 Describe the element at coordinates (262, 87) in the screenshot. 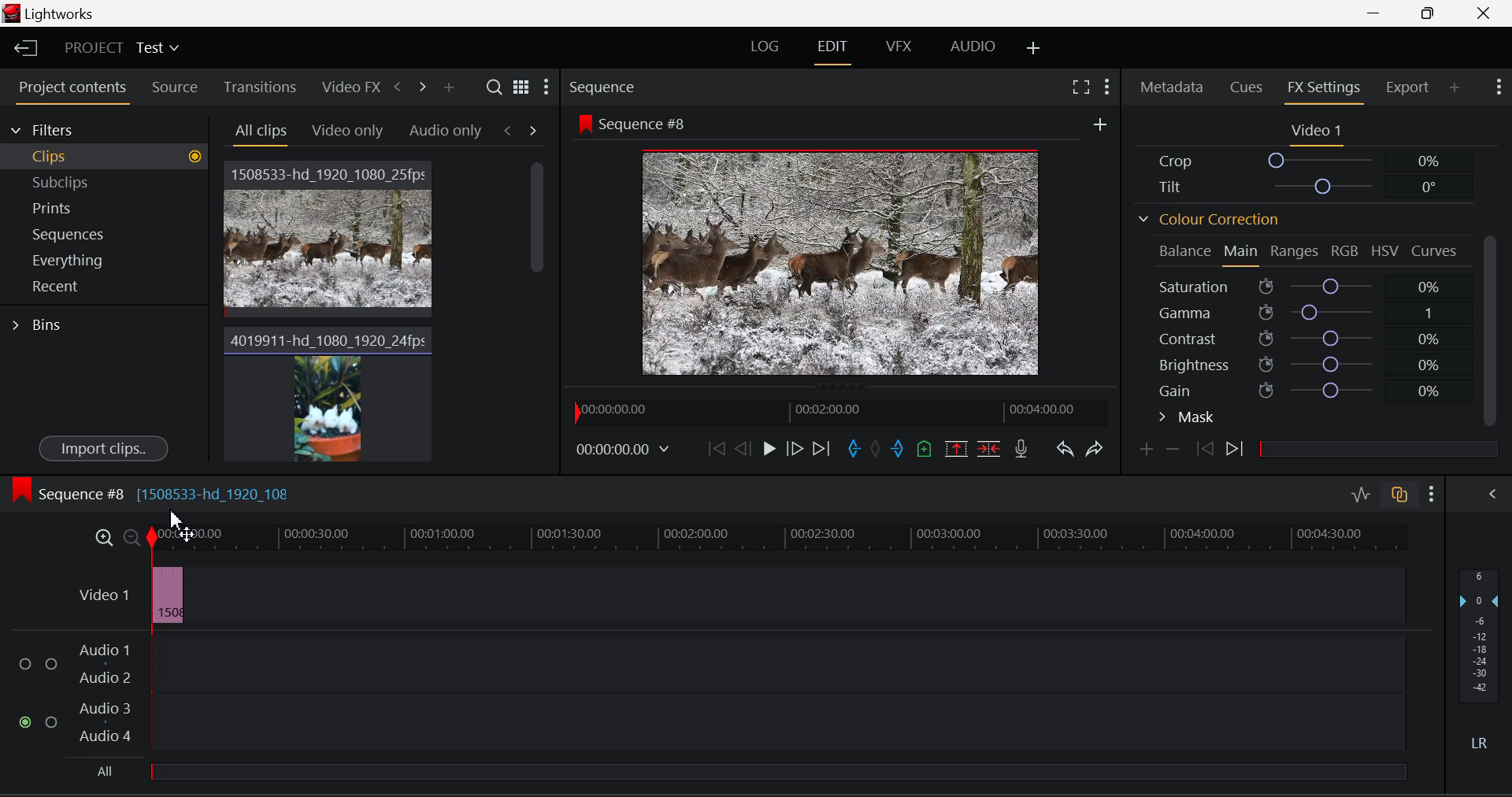

I see `Transitions Tab` at that location.